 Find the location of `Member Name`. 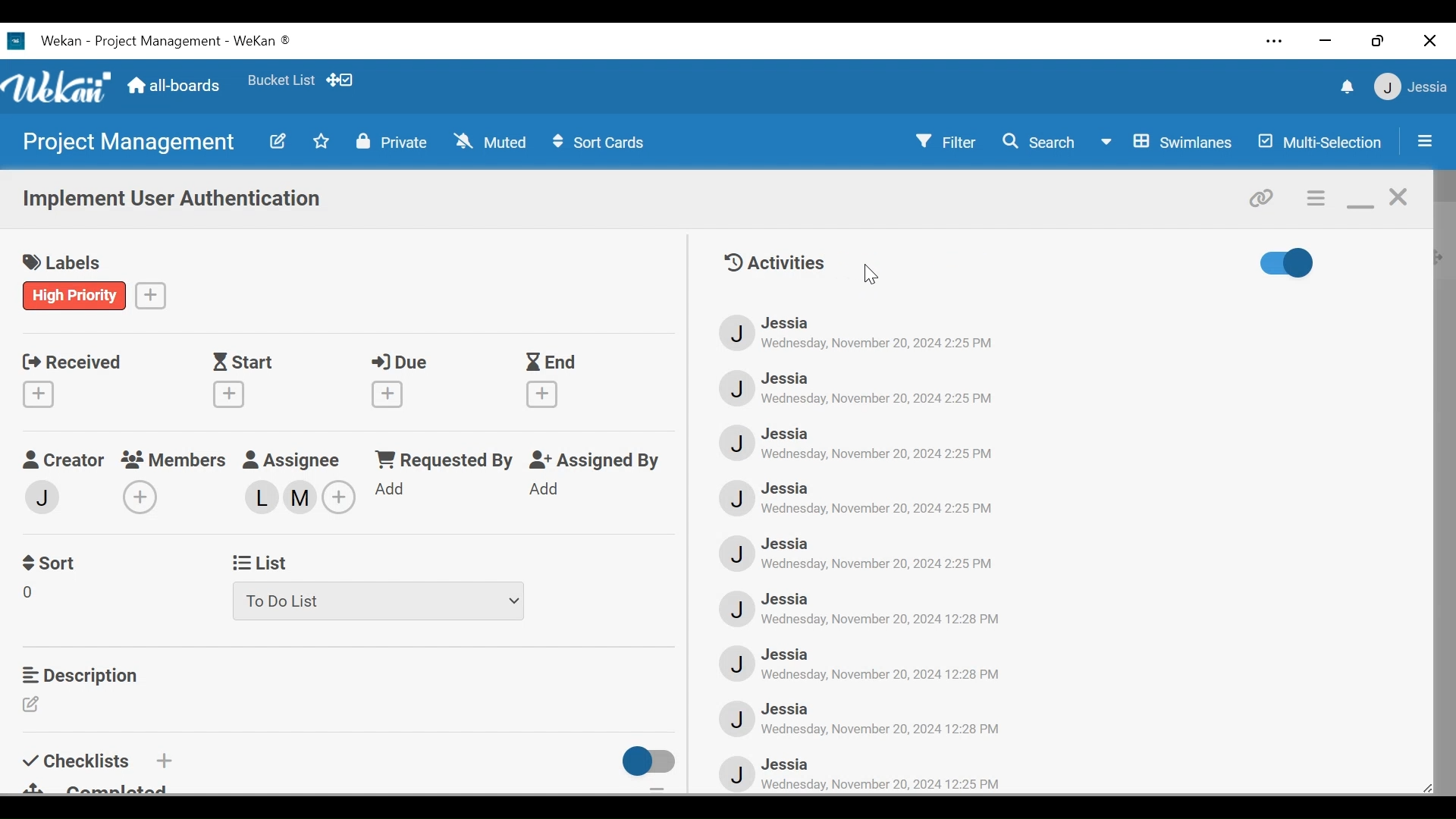

Member Name is located at coordinates (789, 544).